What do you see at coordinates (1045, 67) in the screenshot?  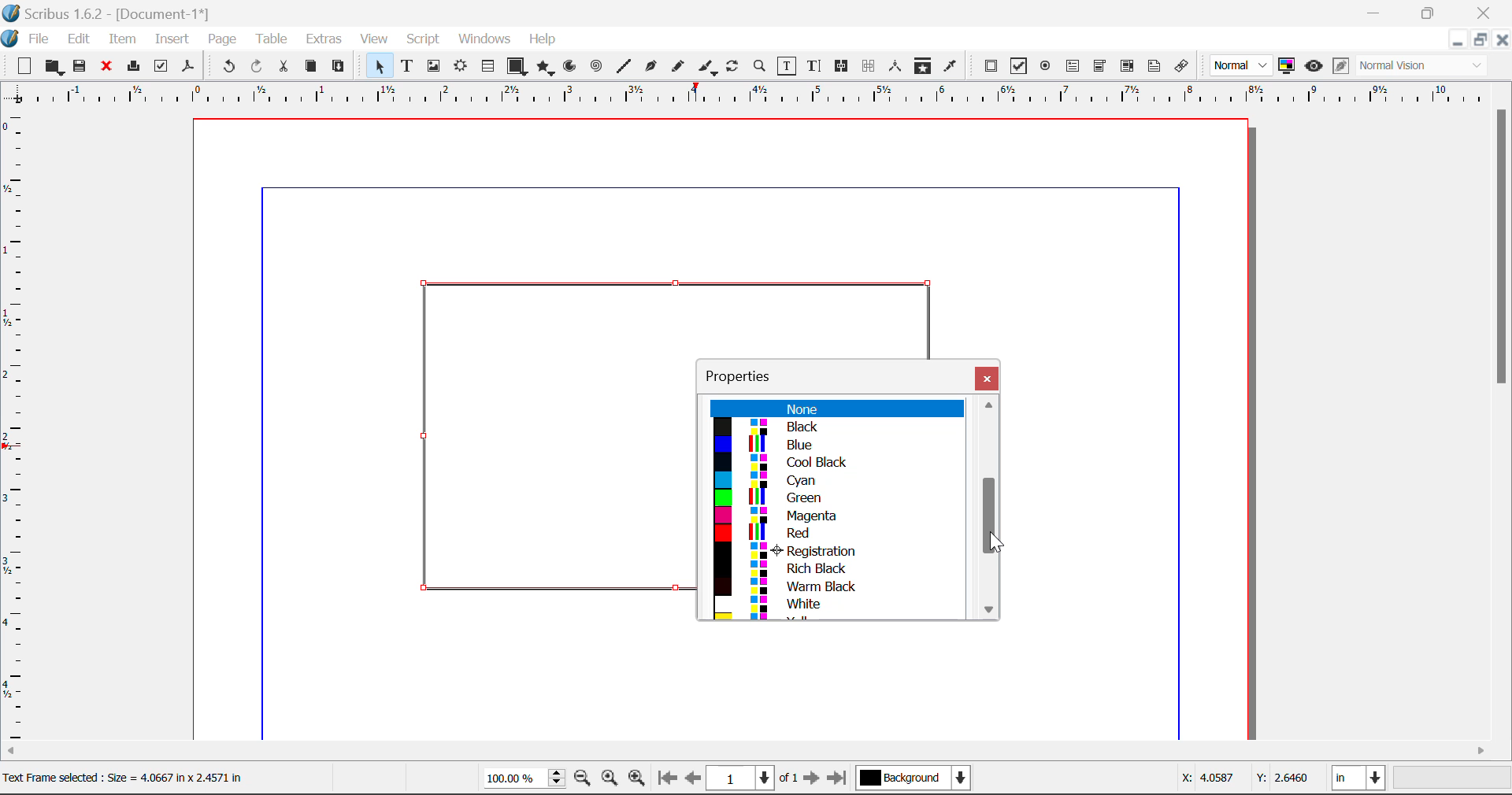 I see `Pdf Radio Button` at bounding box center [1045, 67].